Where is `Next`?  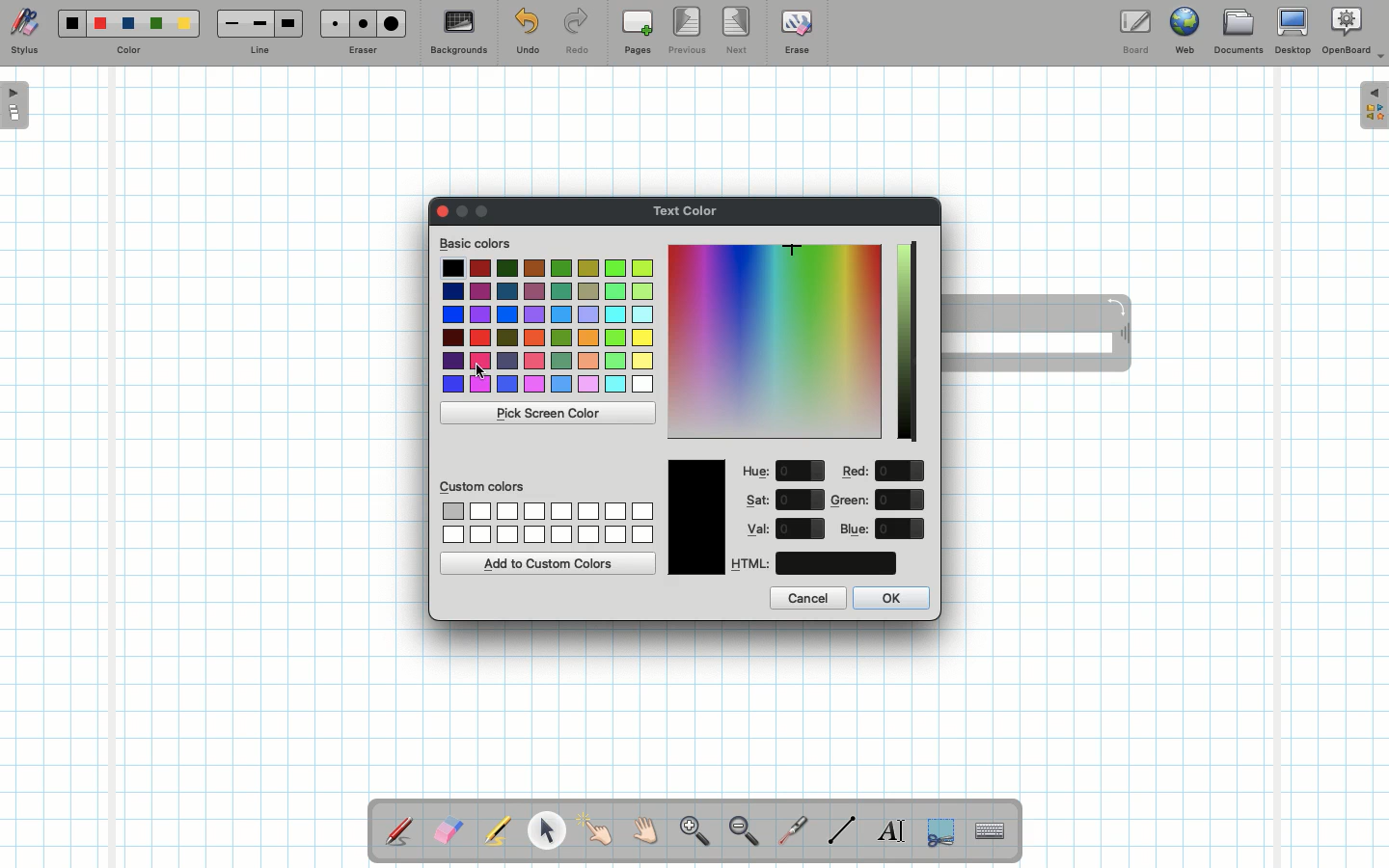
Next is located at coordinates (738, 29).